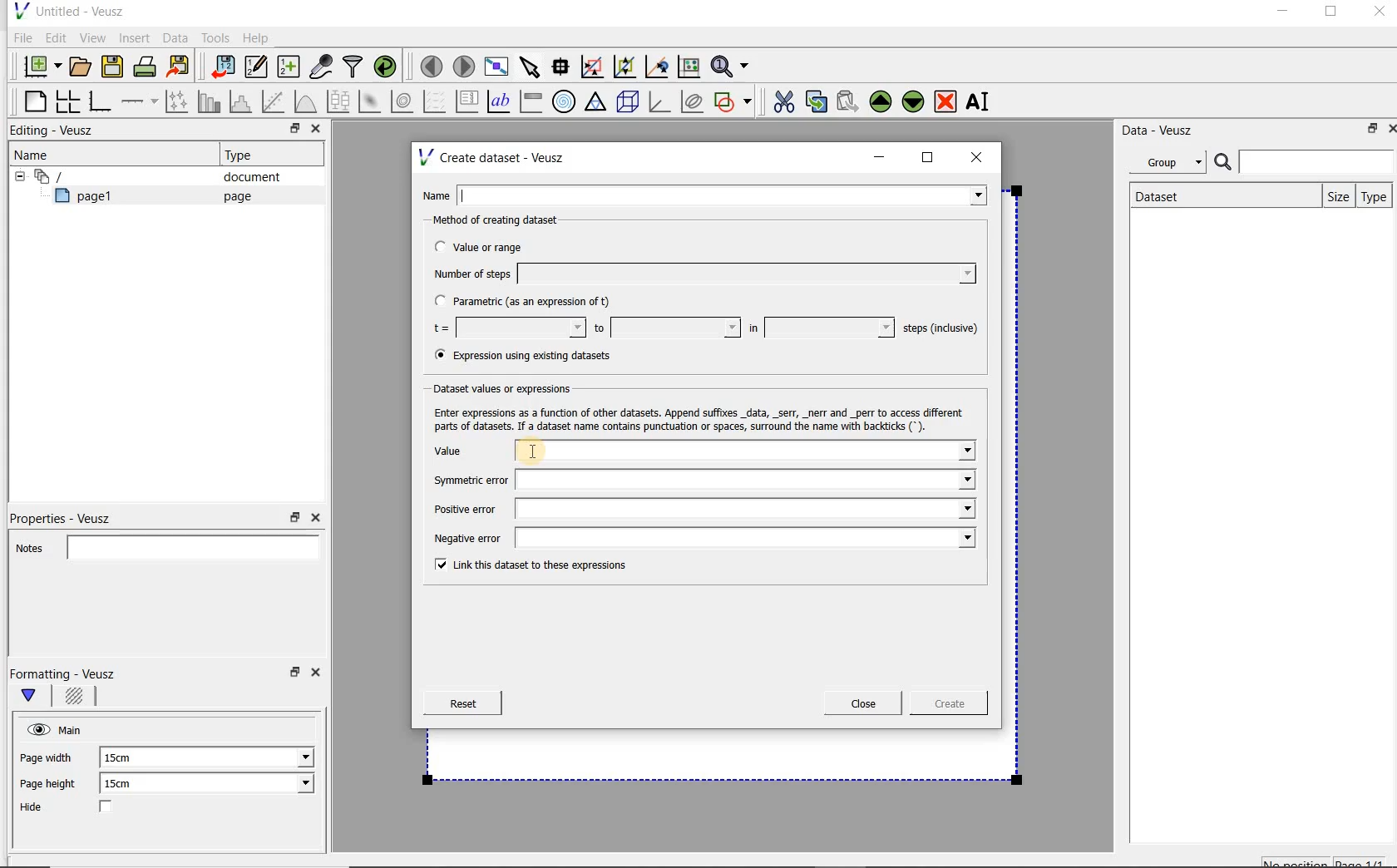  What do you see at coordinates (221, 67) in the screenshot?
I see `import data into Veusz` at bounding box center [221, 67].